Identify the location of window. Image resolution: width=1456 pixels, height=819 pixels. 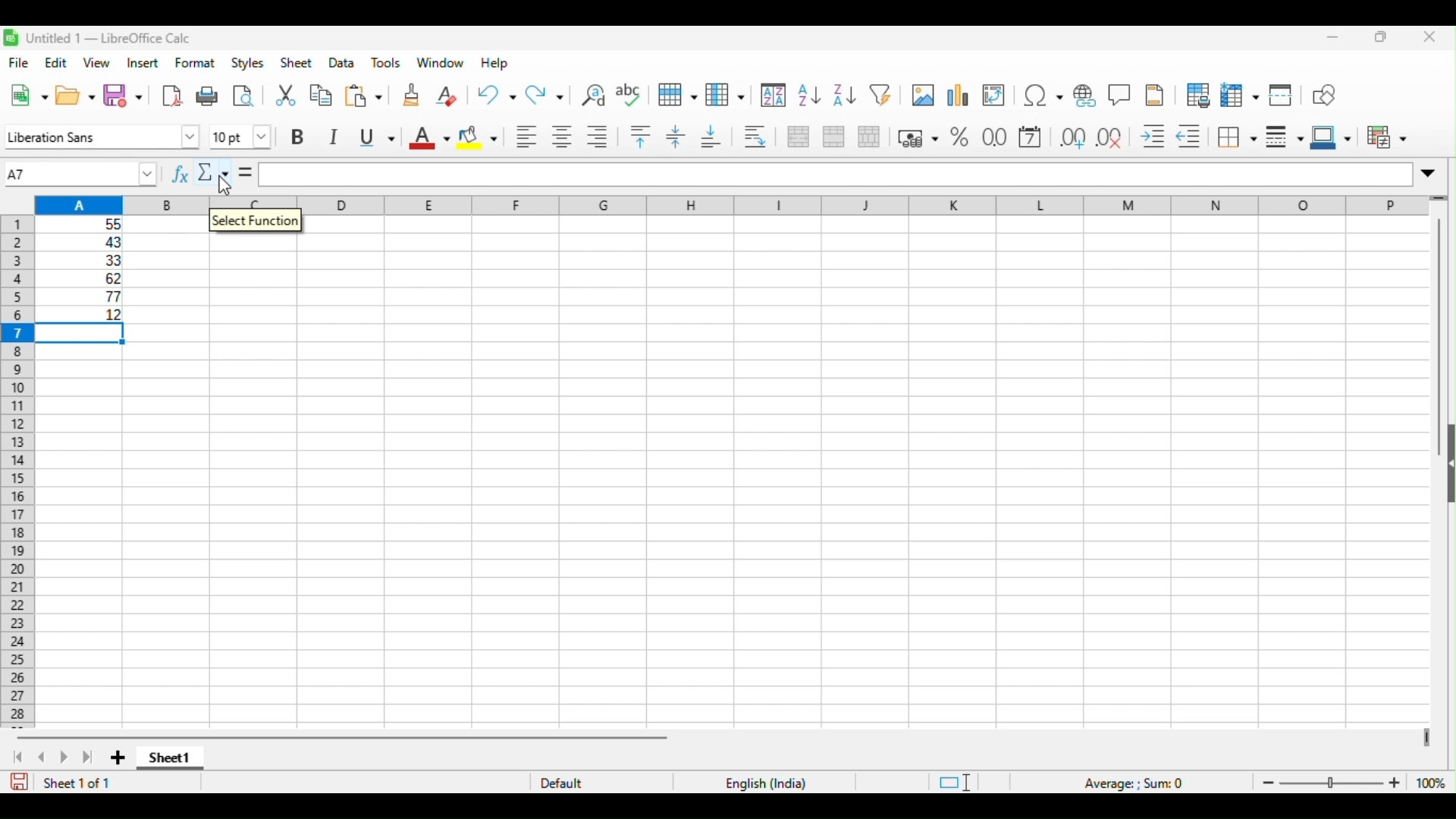
(440, 62).